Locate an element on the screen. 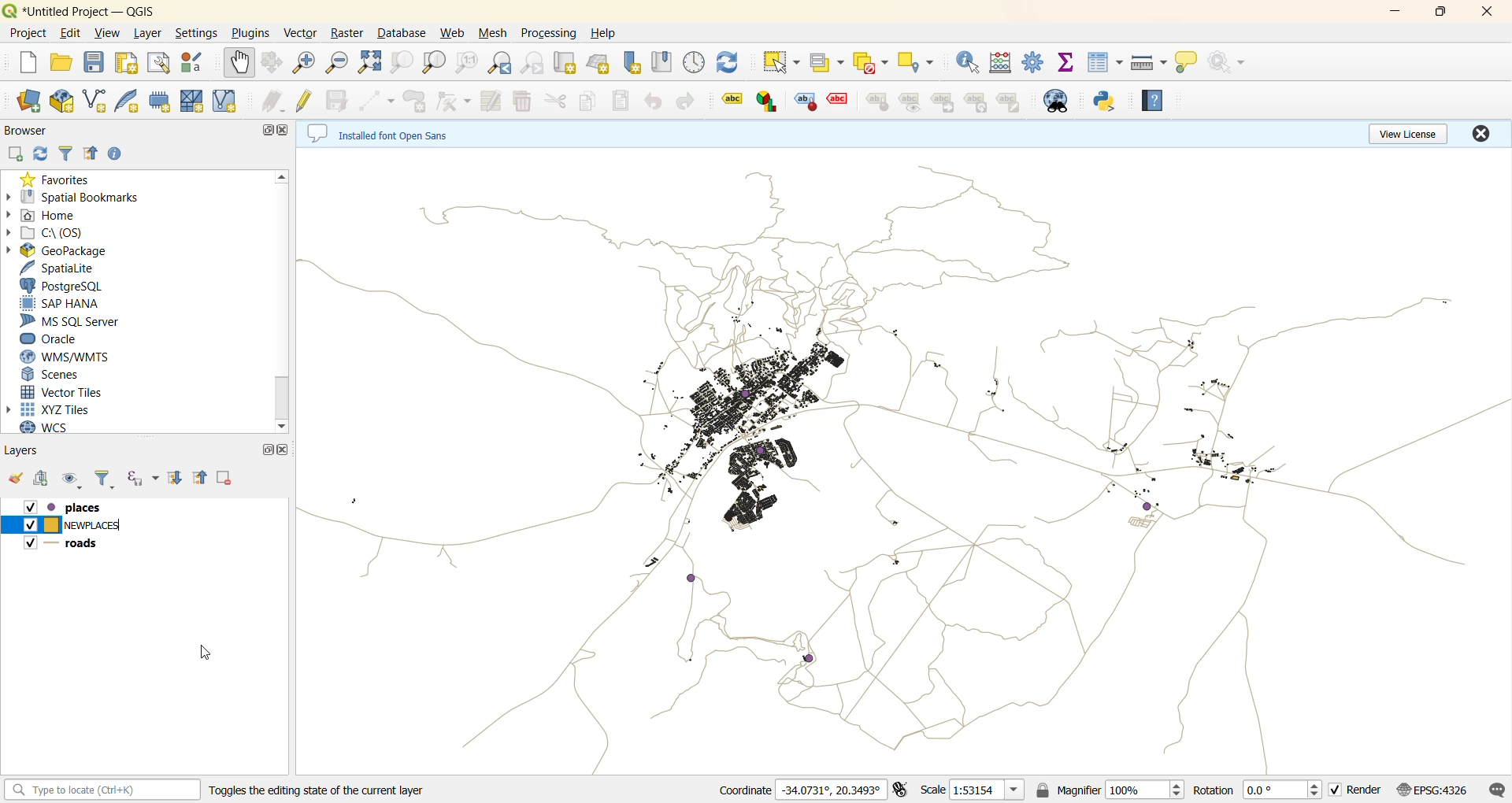 Image resolution: width=1512 pixels, height=803 pixels. vector is located at coordinates (302, 34).